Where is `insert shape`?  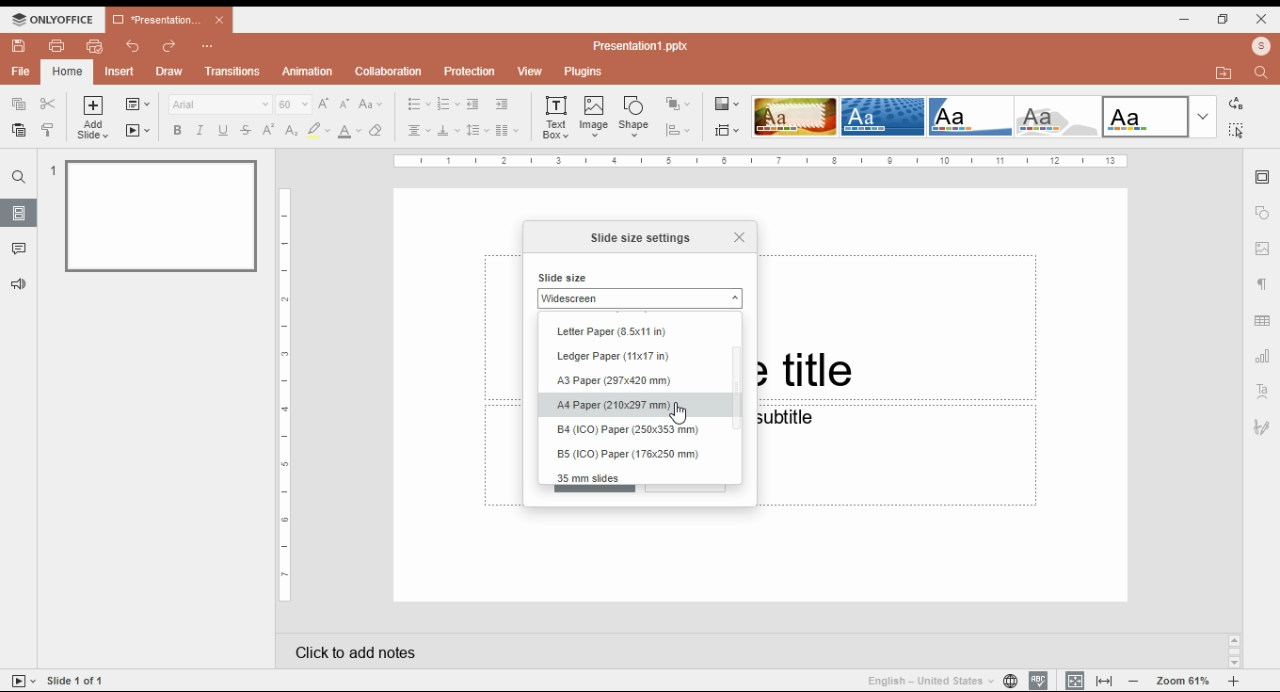 insert shape is located at coordinates (635, 116).